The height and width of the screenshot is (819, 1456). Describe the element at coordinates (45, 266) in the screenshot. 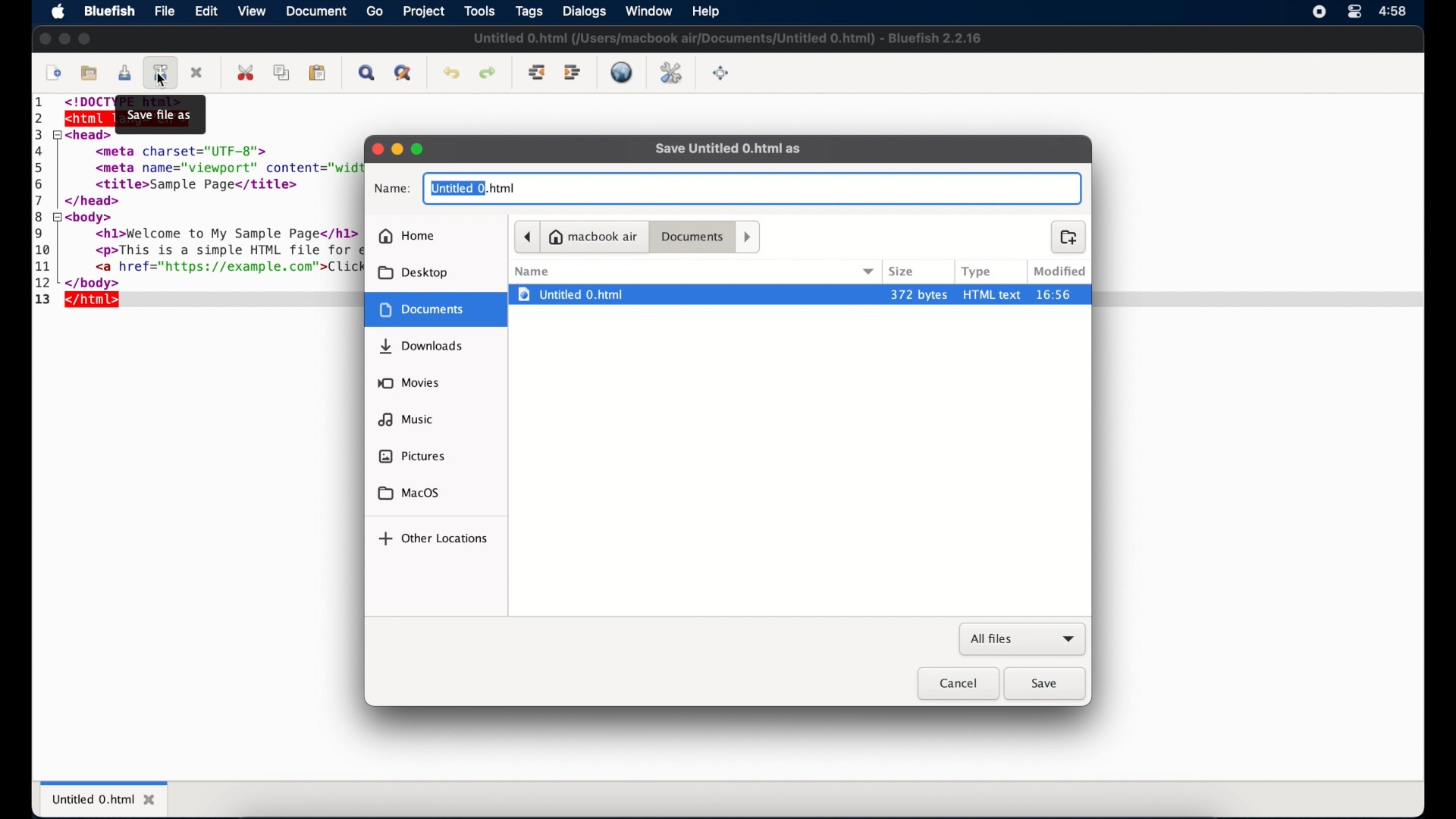

I see `11` at that location.